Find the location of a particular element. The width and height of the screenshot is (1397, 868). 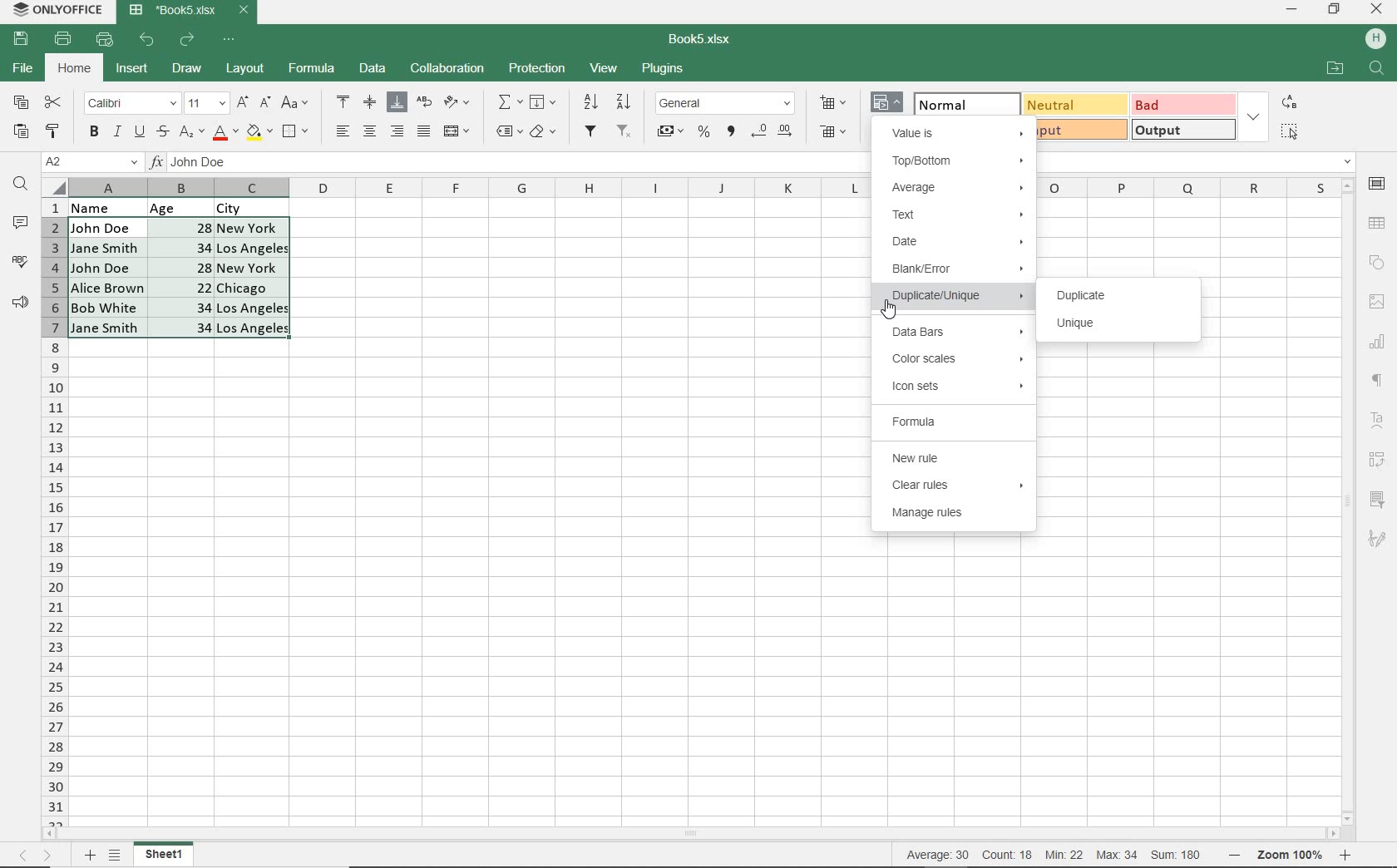

DATA is located at coordinates (192, 206).